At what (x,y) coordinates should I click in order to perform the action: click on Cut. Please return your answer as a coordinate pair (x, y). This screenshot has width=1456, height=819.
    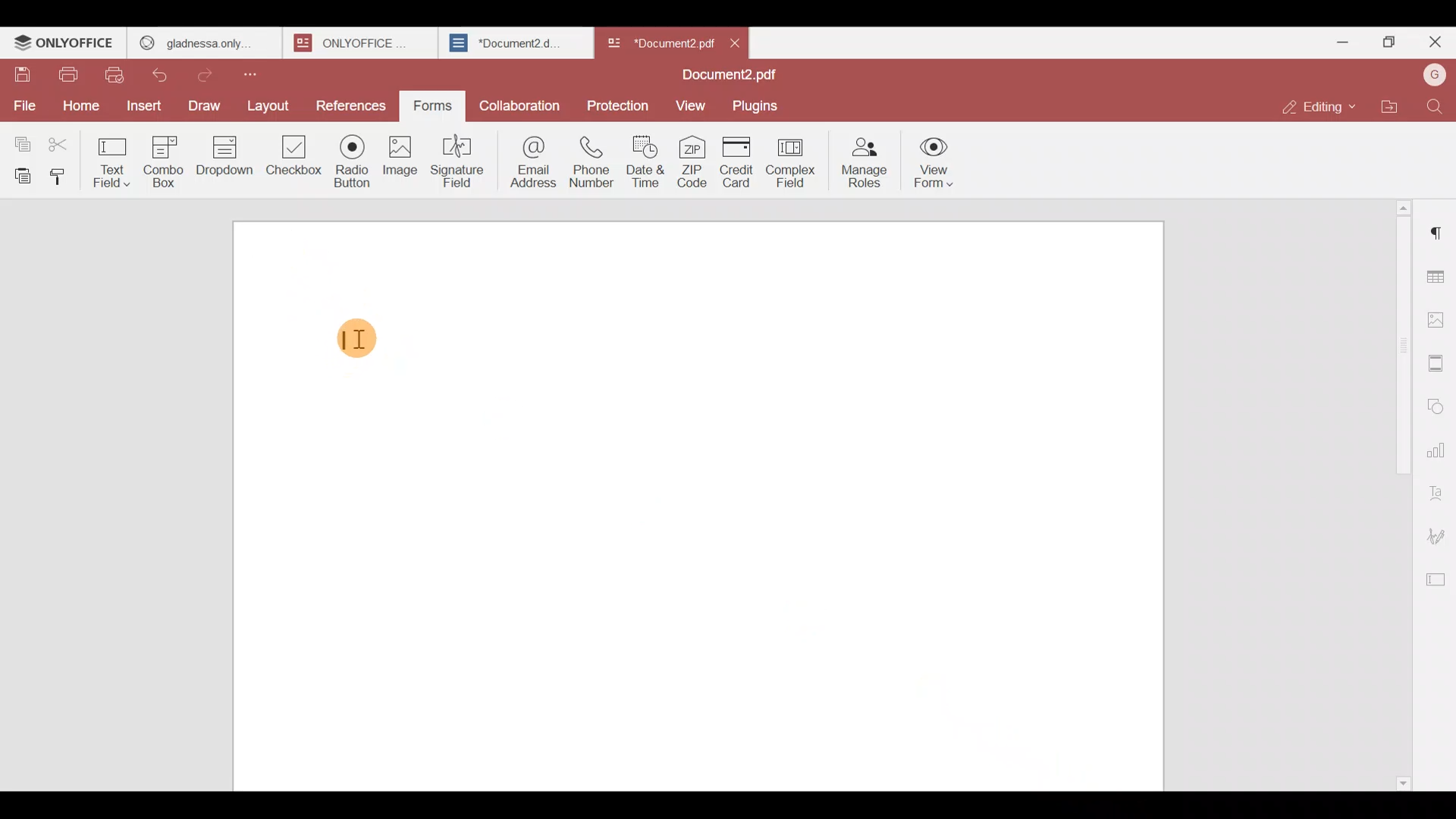
    Looking at the image, I should click on (64, 140).